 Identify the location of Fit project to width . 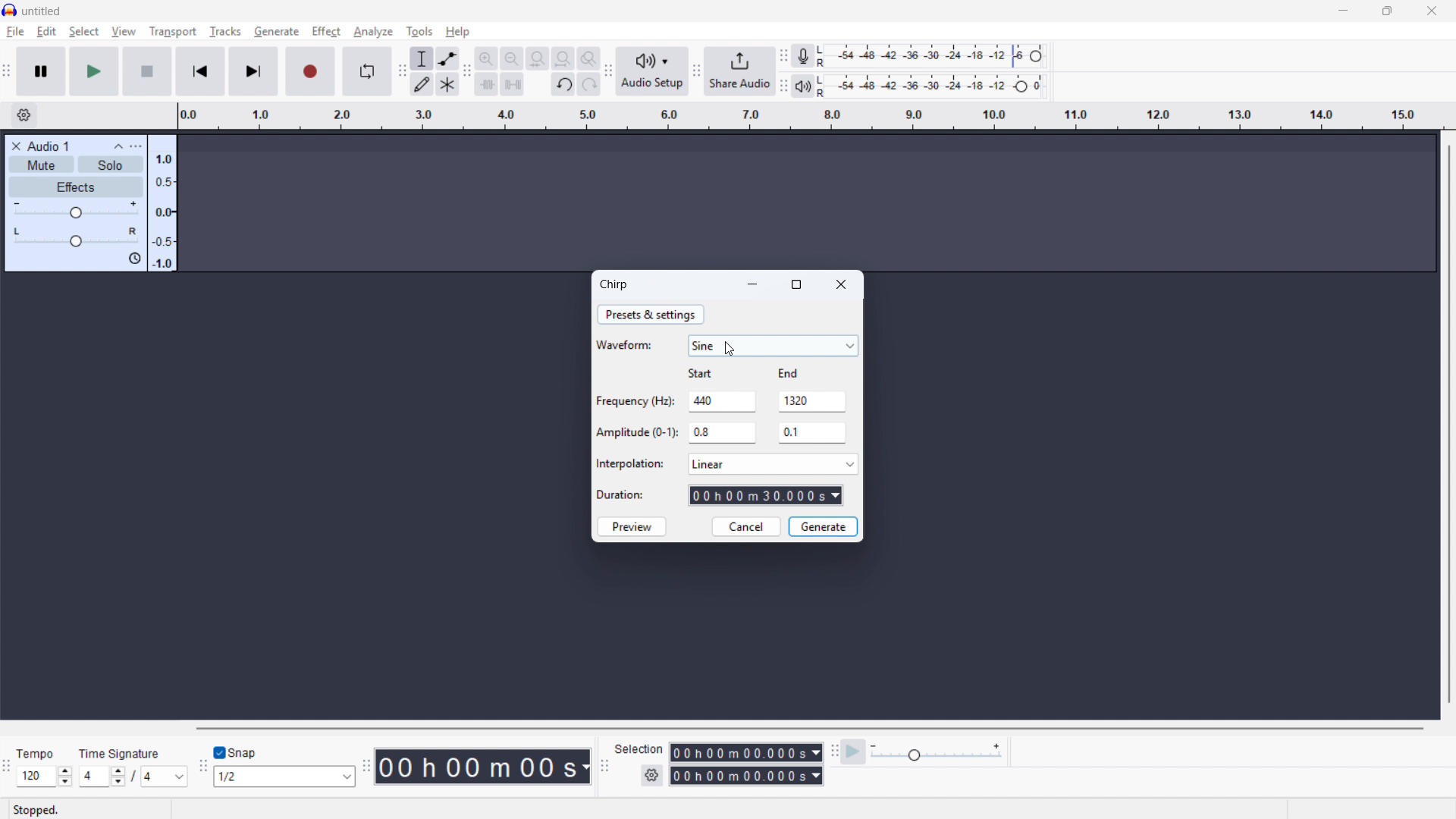
(564, 58).